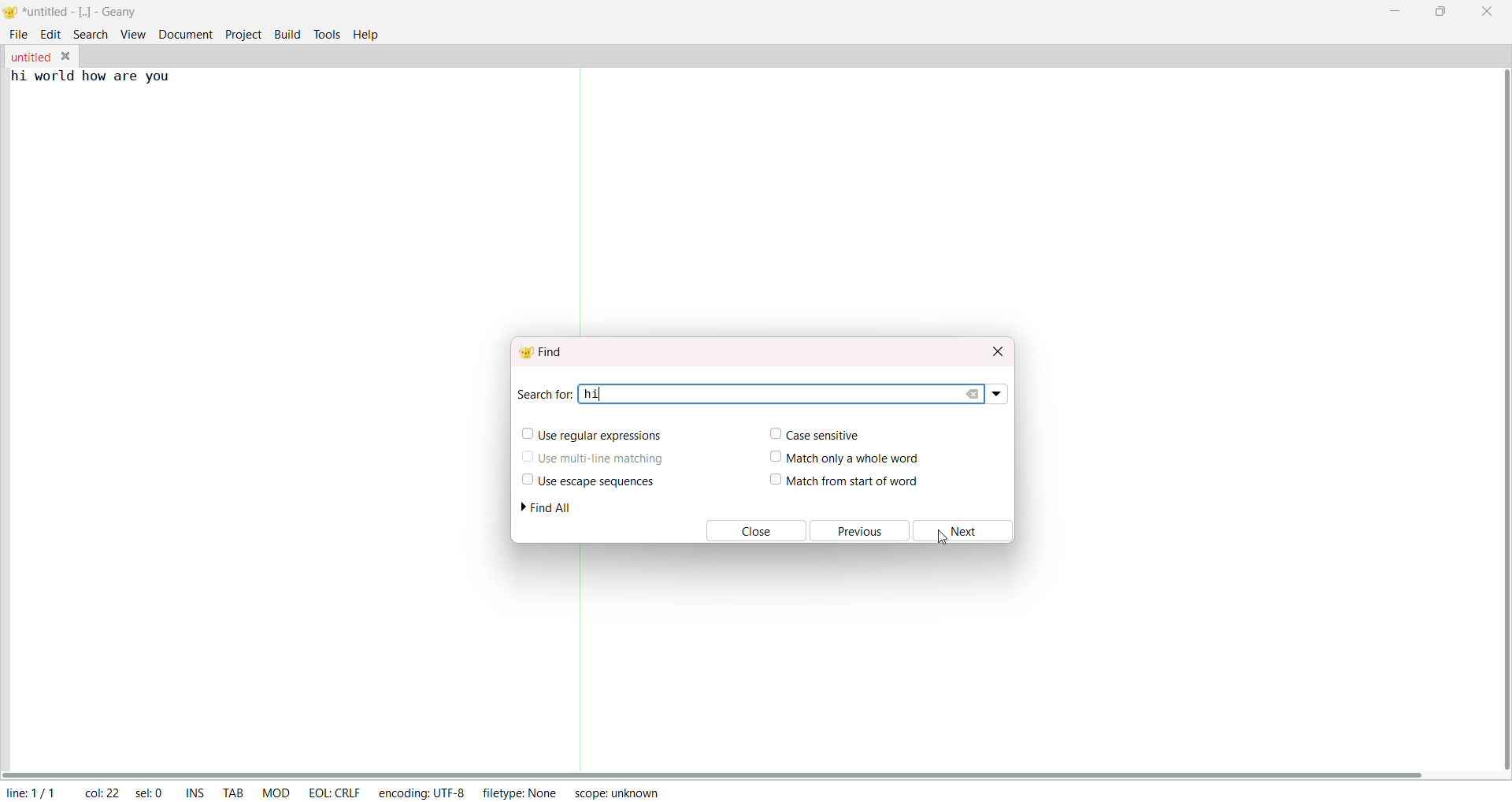 This screenshot has height=802, width=1512. What do you see at coordinates (519, 793) in the screenshot?
I see `filetype: none` at bounding box center [519, 793].